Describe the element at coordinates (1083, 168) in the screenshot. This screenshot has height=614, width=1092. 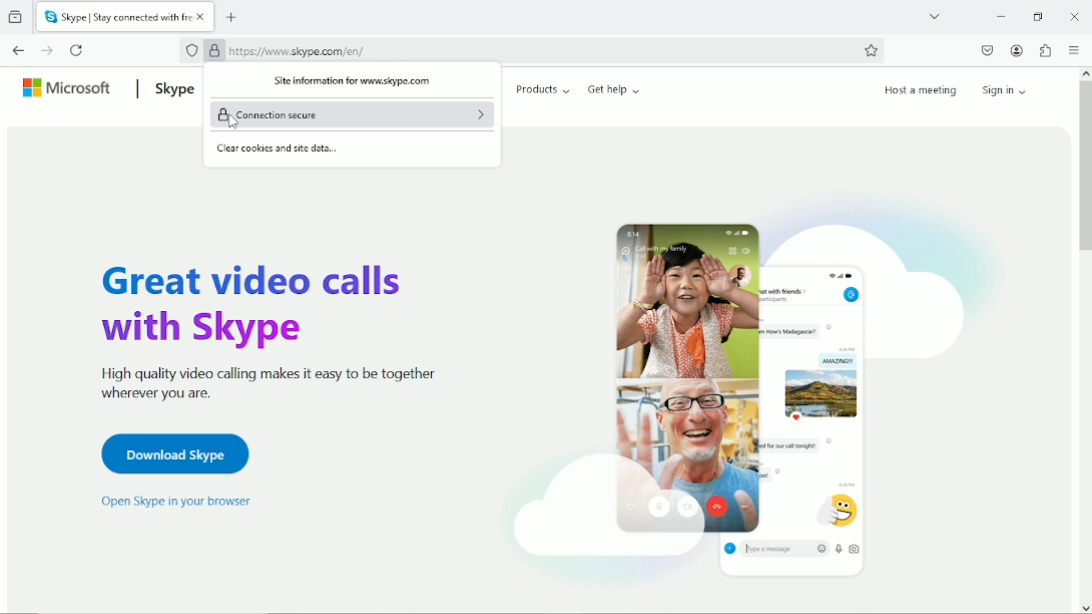
I see `vertical scrollbar` at that location.